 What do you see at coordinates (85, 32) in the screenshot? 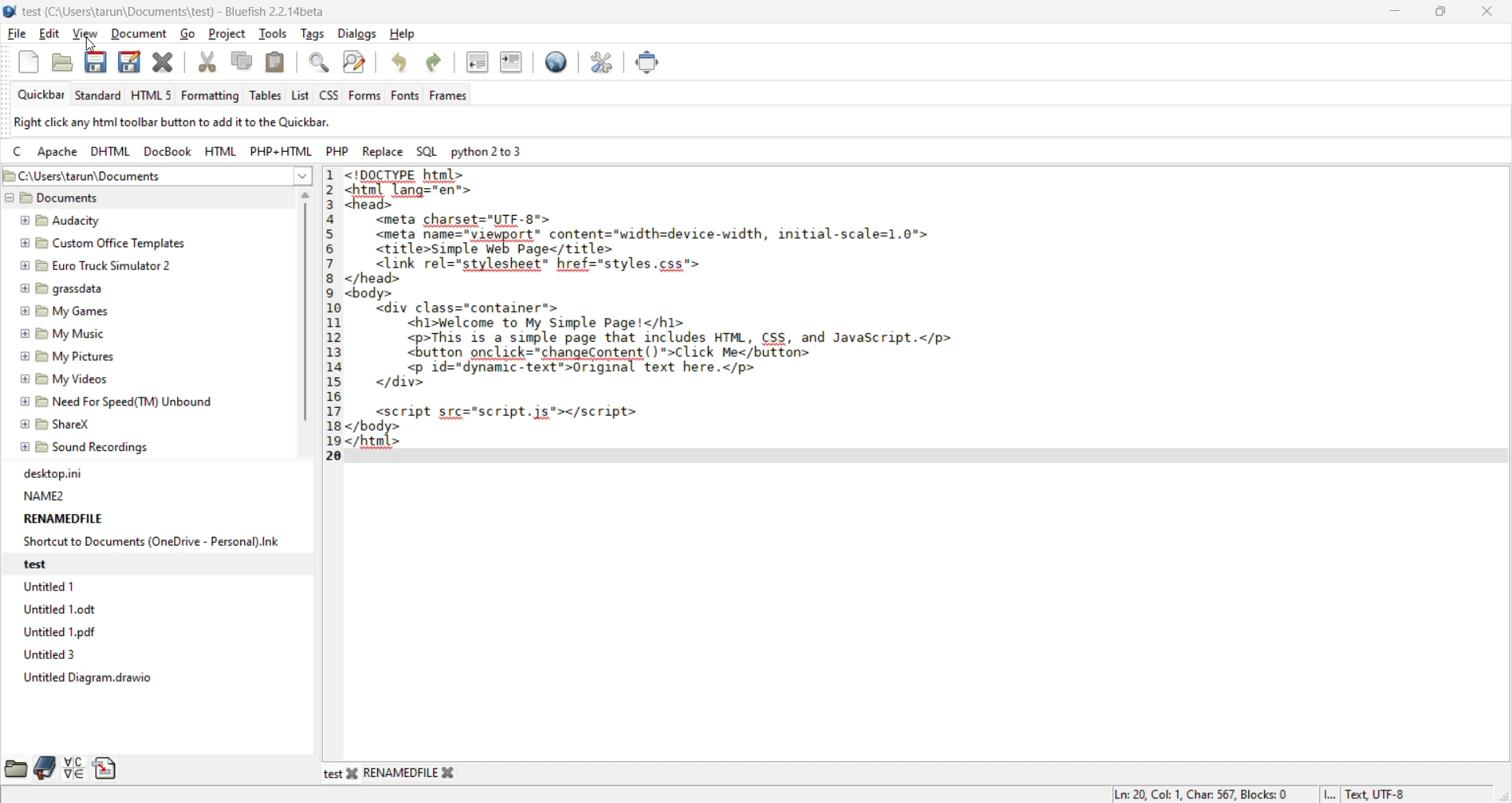
I see `view` at bounding box center [85, 32].